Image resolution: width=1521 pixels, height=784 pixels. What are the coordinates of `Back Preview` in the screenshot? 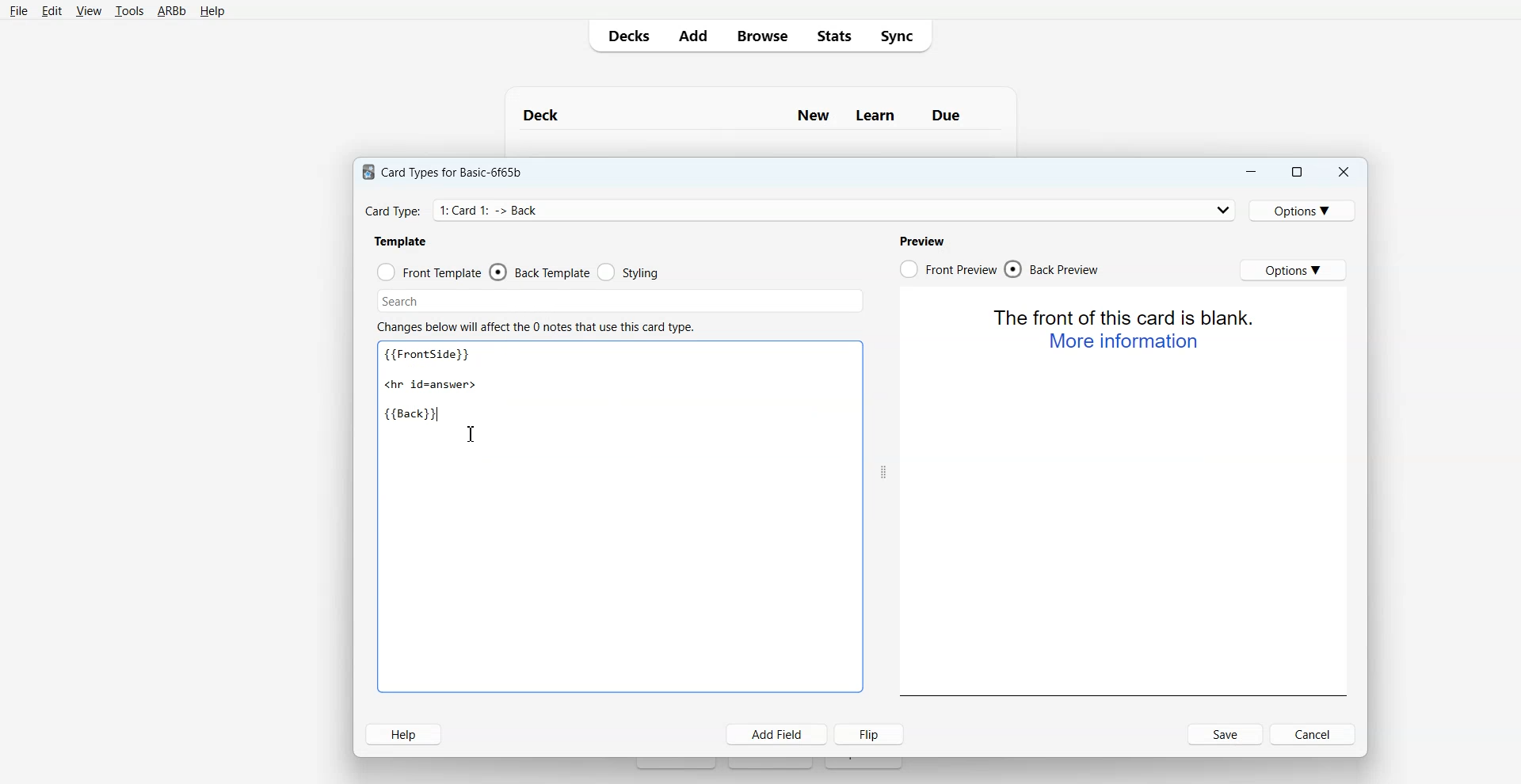 It's located at (1054, 269).